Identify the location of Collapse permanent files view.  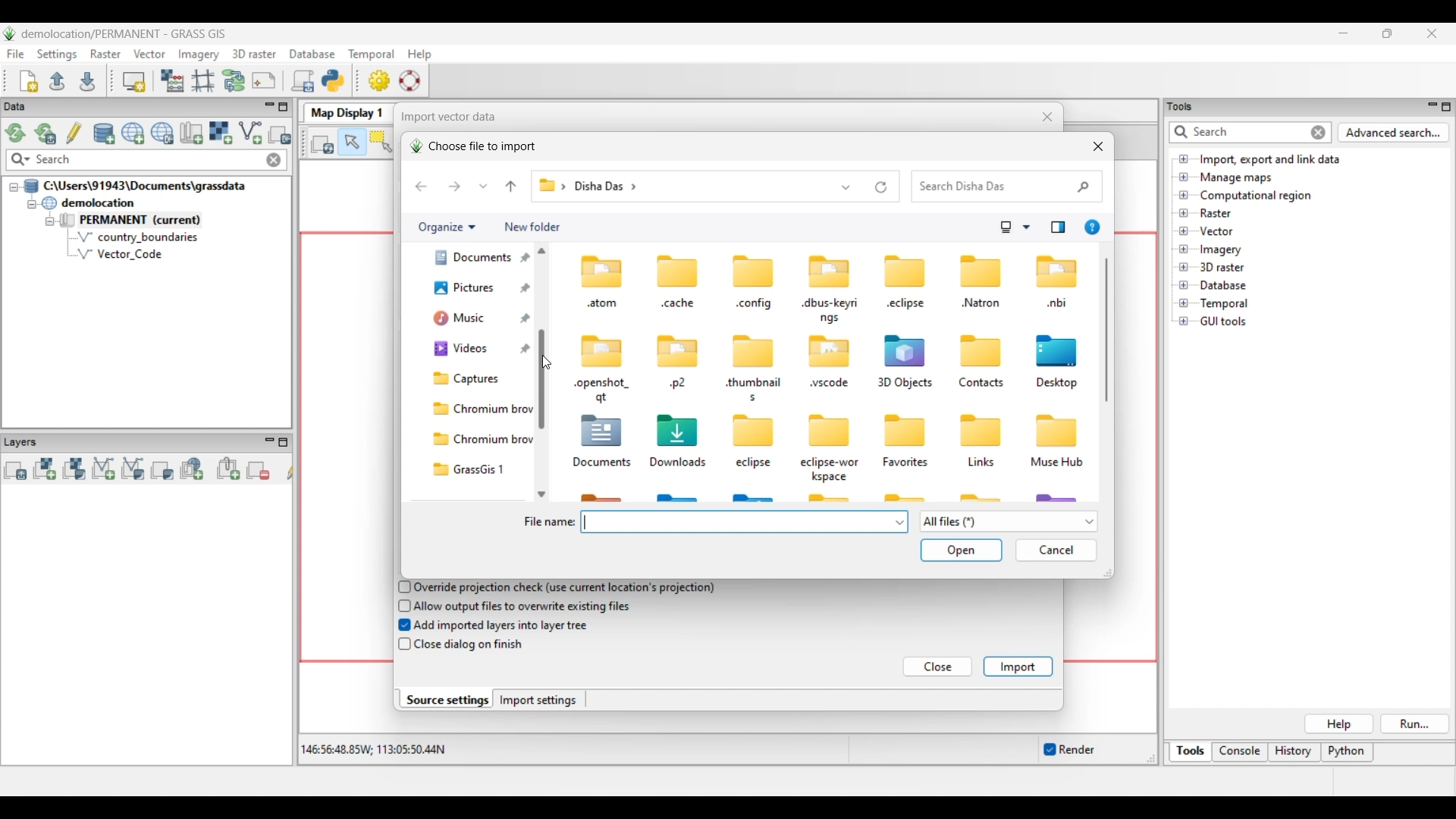
(50, 221).